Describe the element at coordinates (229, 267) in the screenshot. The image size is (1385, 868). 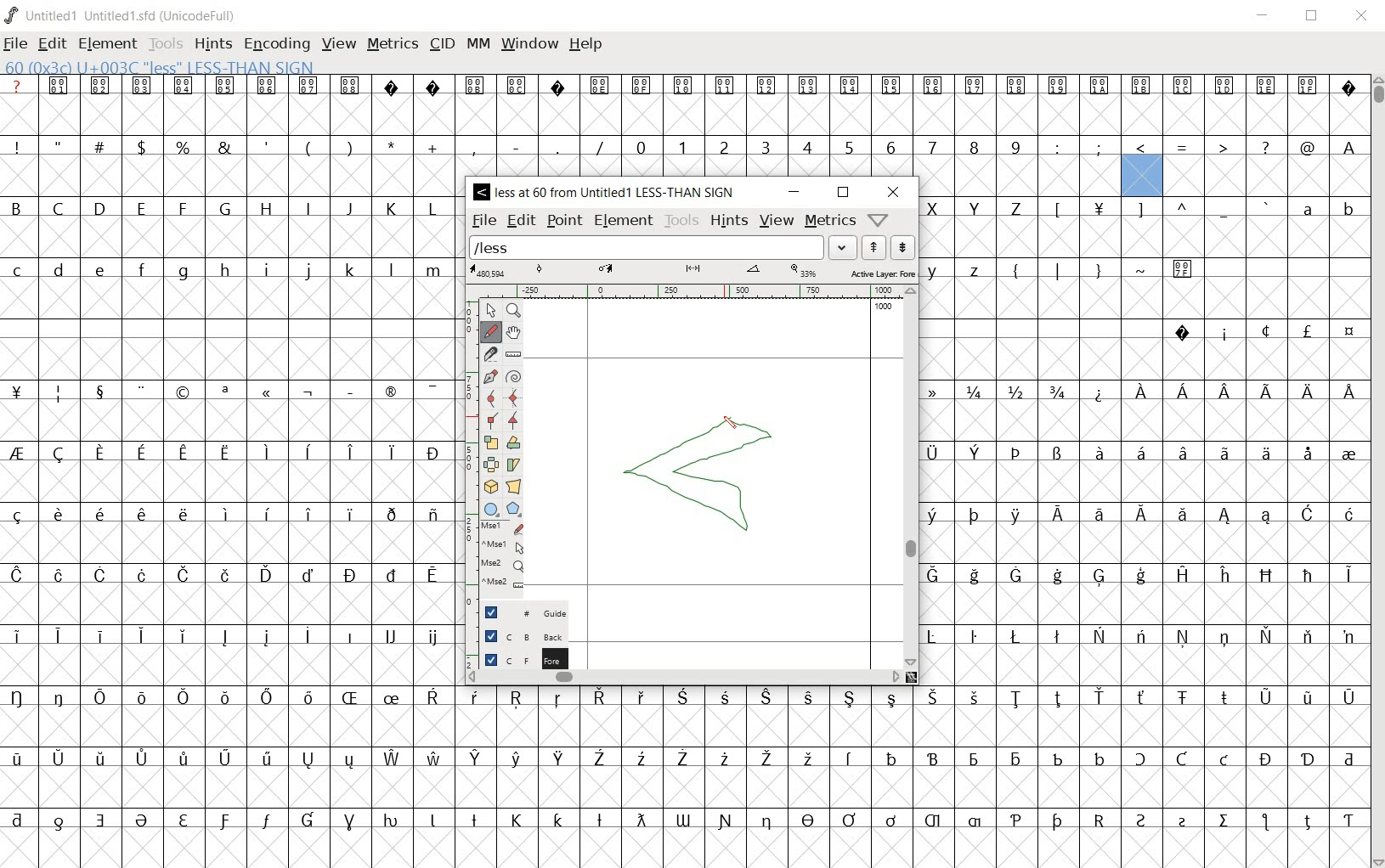
I see `small letter c - z` at that location.